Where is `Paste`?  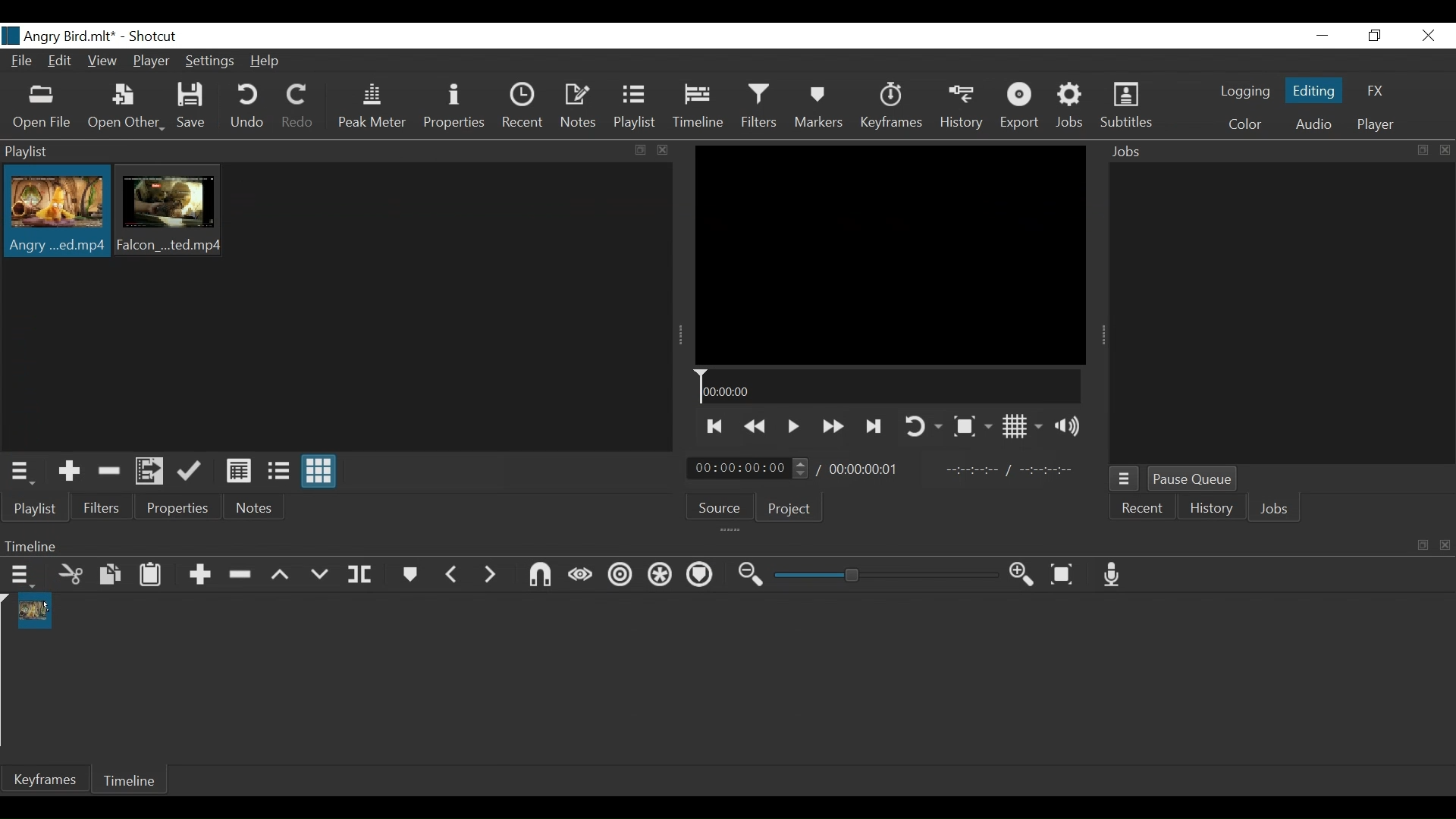
Paste is located at coordinates (153, 576).